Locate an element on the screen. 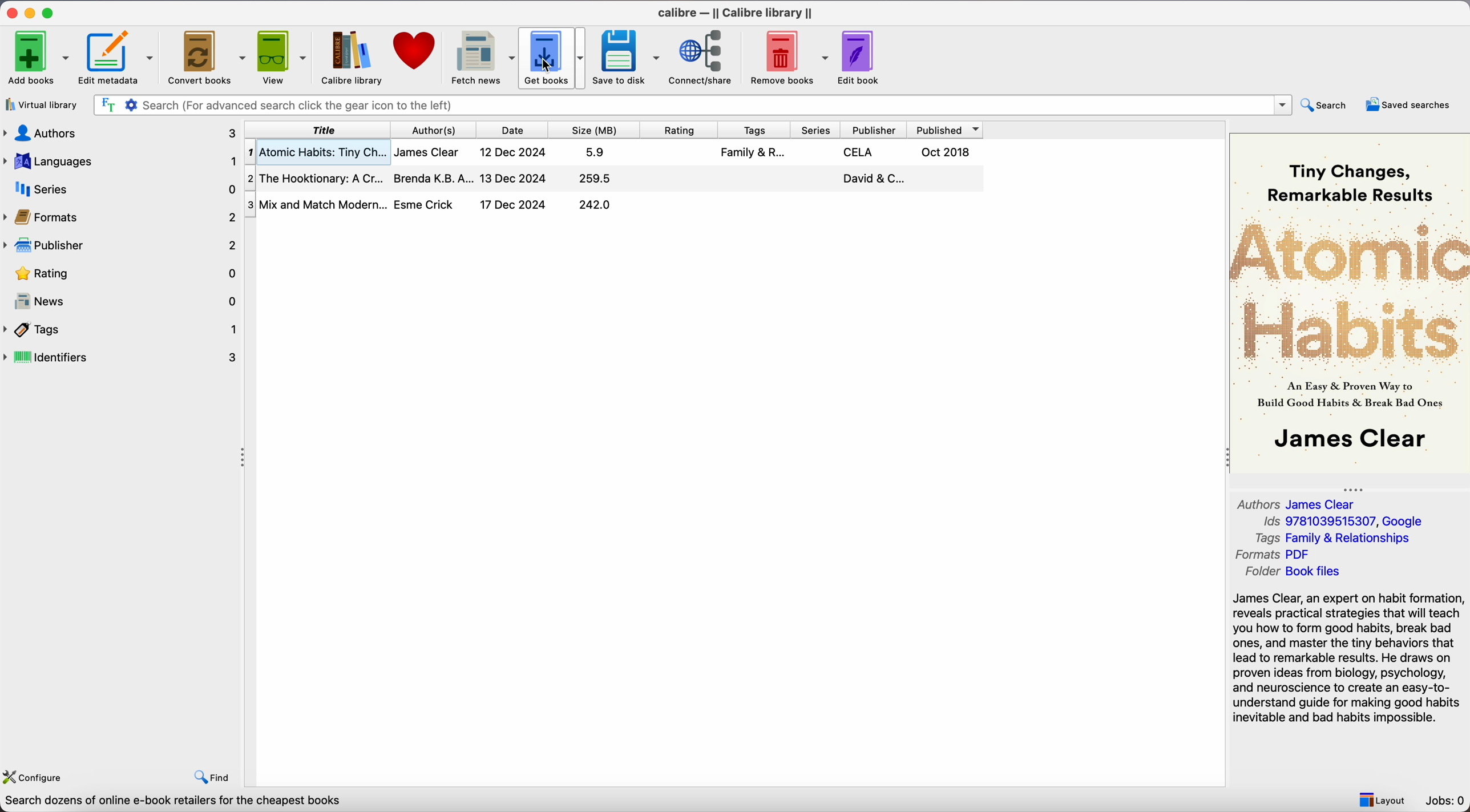 The height and width of the screenshot is (812, 1470). virtual library is located at coordinates (41, 106).